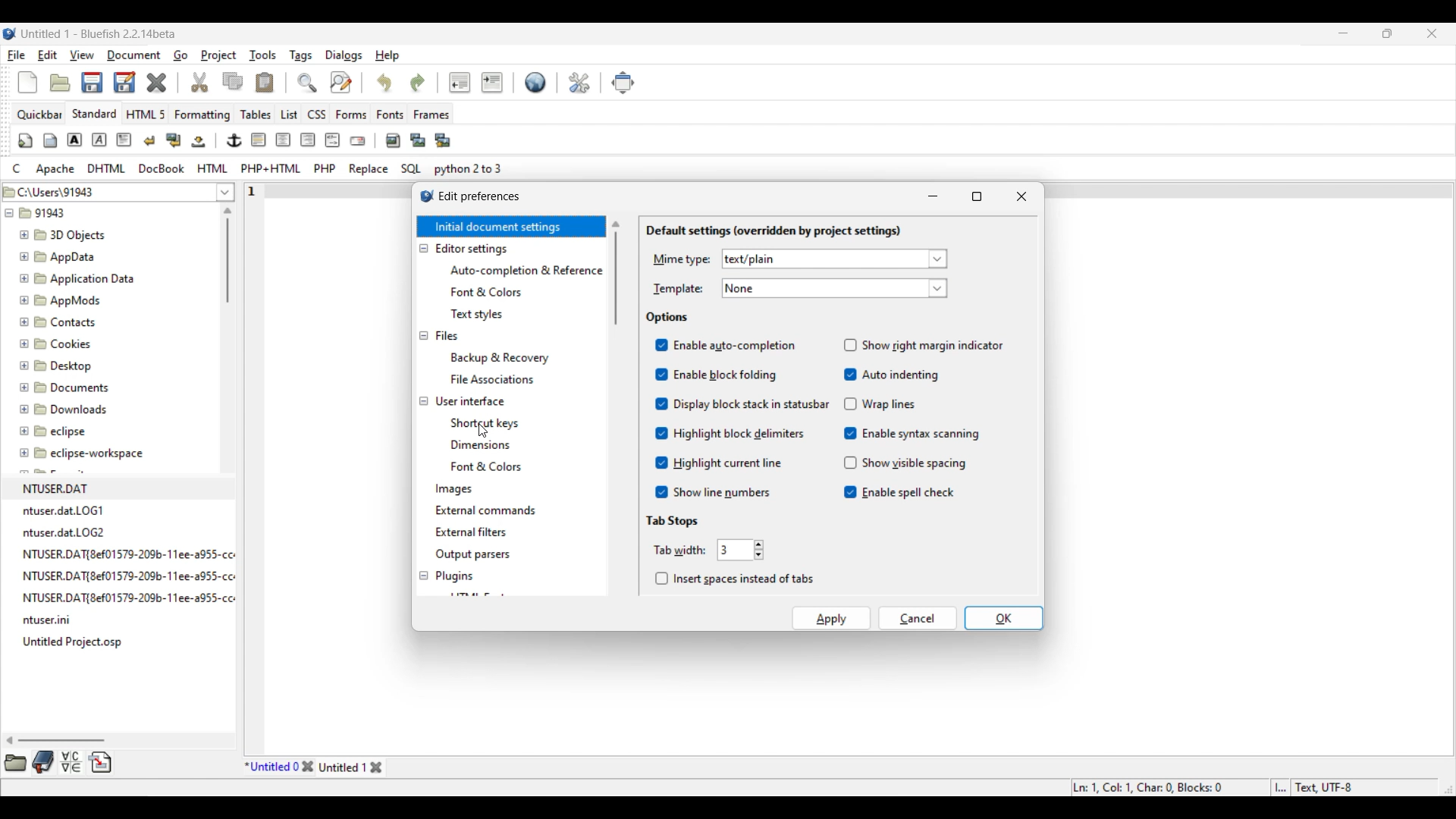 This screenshot has width=1456, height=819. Describe the element at coordinates (134, 55) in the screenshot. I see `Document menu` at that location.